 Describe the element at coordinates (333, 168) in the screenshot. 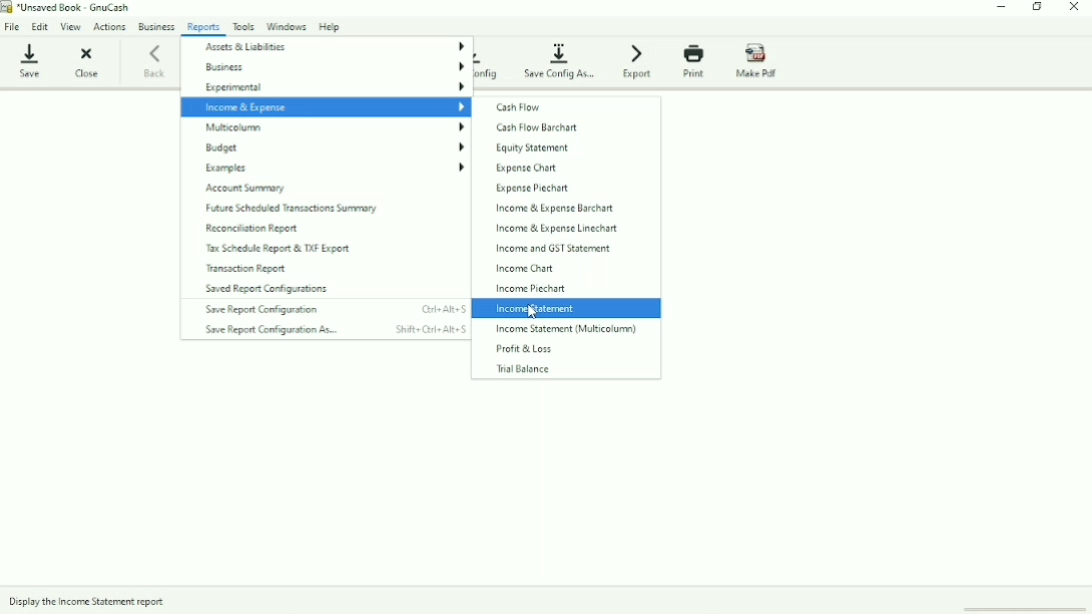

I see `Examples` at that location.